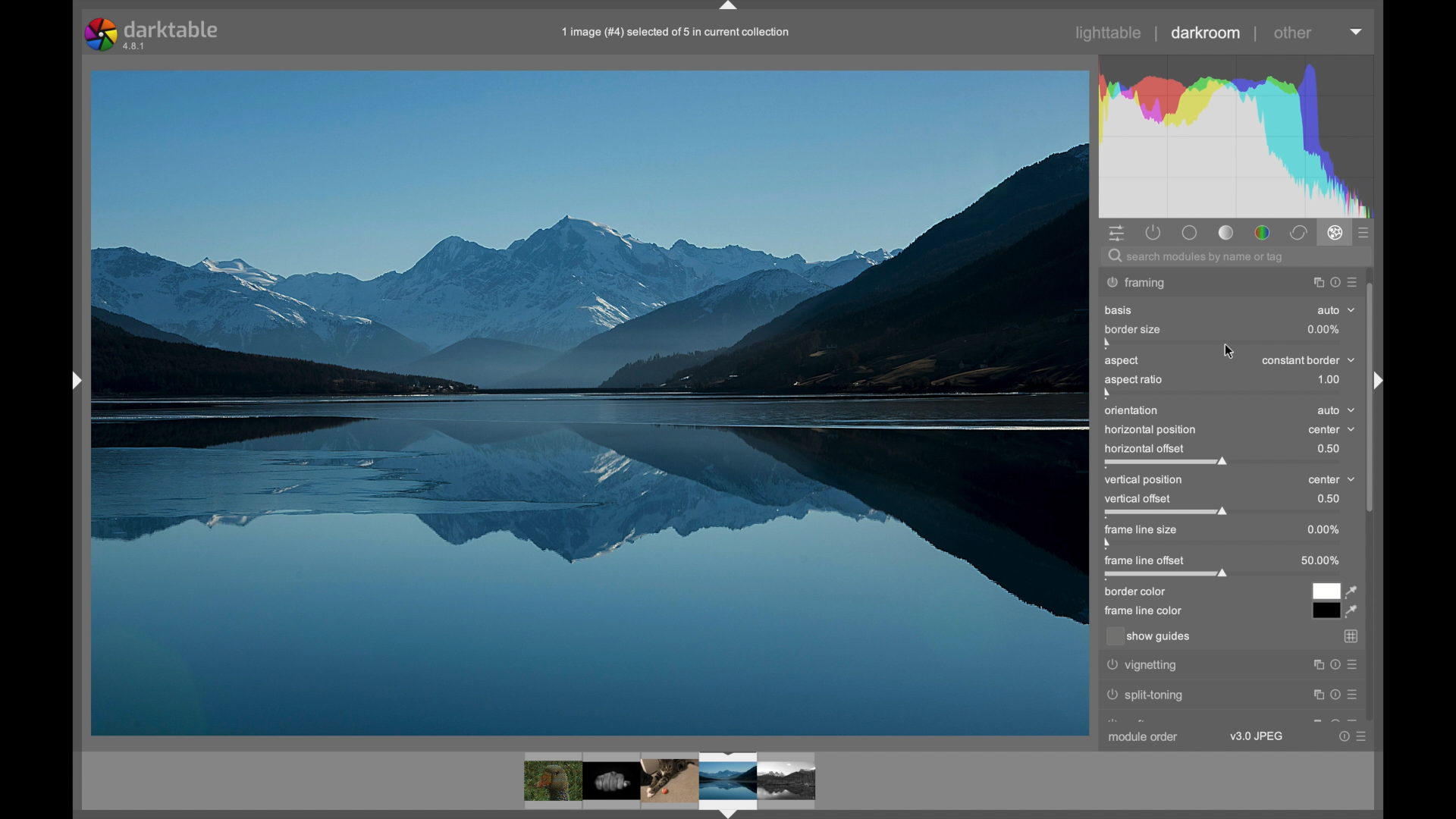  What do you see at coordinates (1263, 233) in the screenshot?
I see `color` at bounding box center [1263, 233].